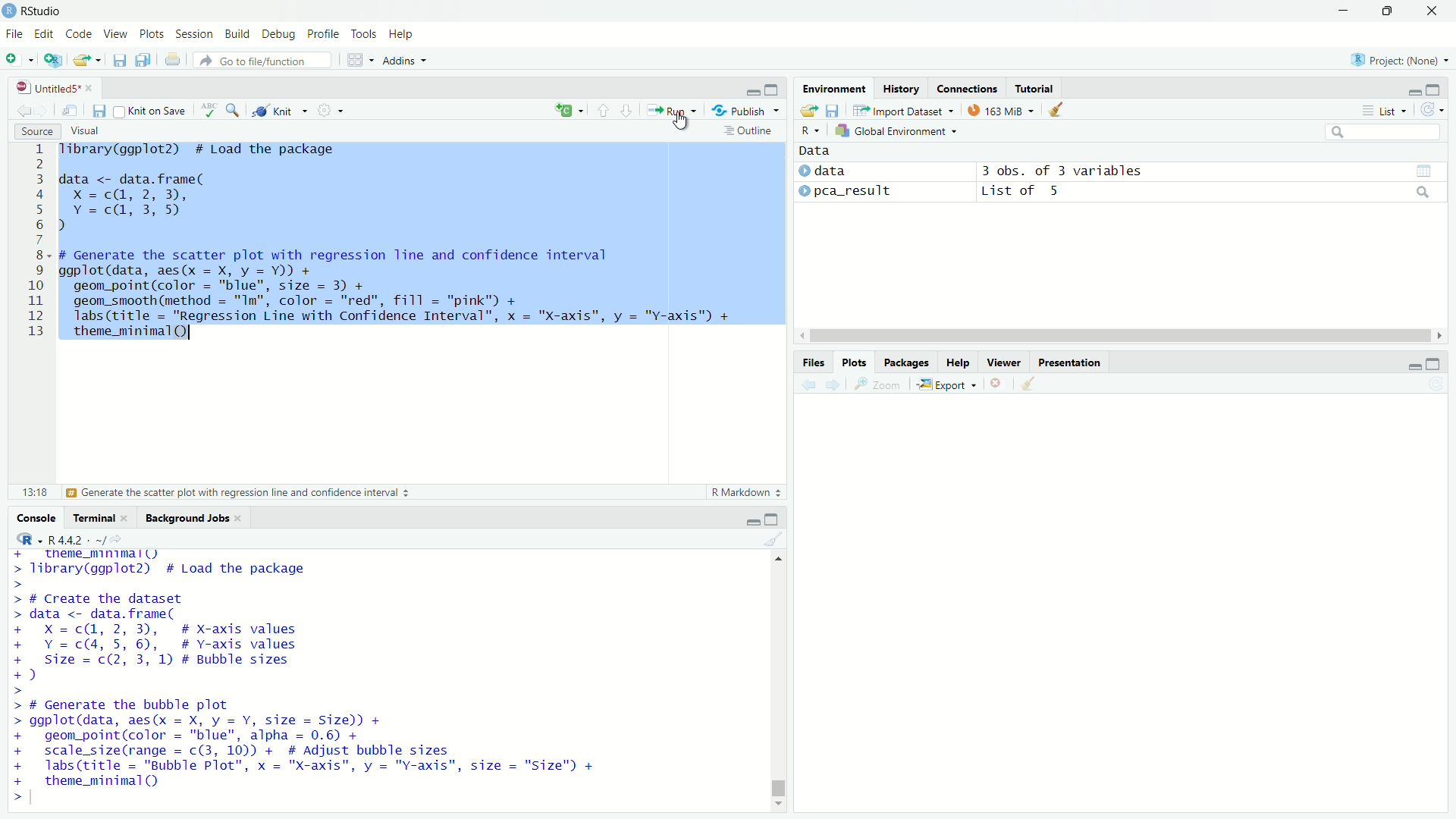 Image resolution: width=1456 pixels, height=819 pixels. Describe the element at coordinates (898, 130) in the screenshot. I see `Global Environment` at that location.